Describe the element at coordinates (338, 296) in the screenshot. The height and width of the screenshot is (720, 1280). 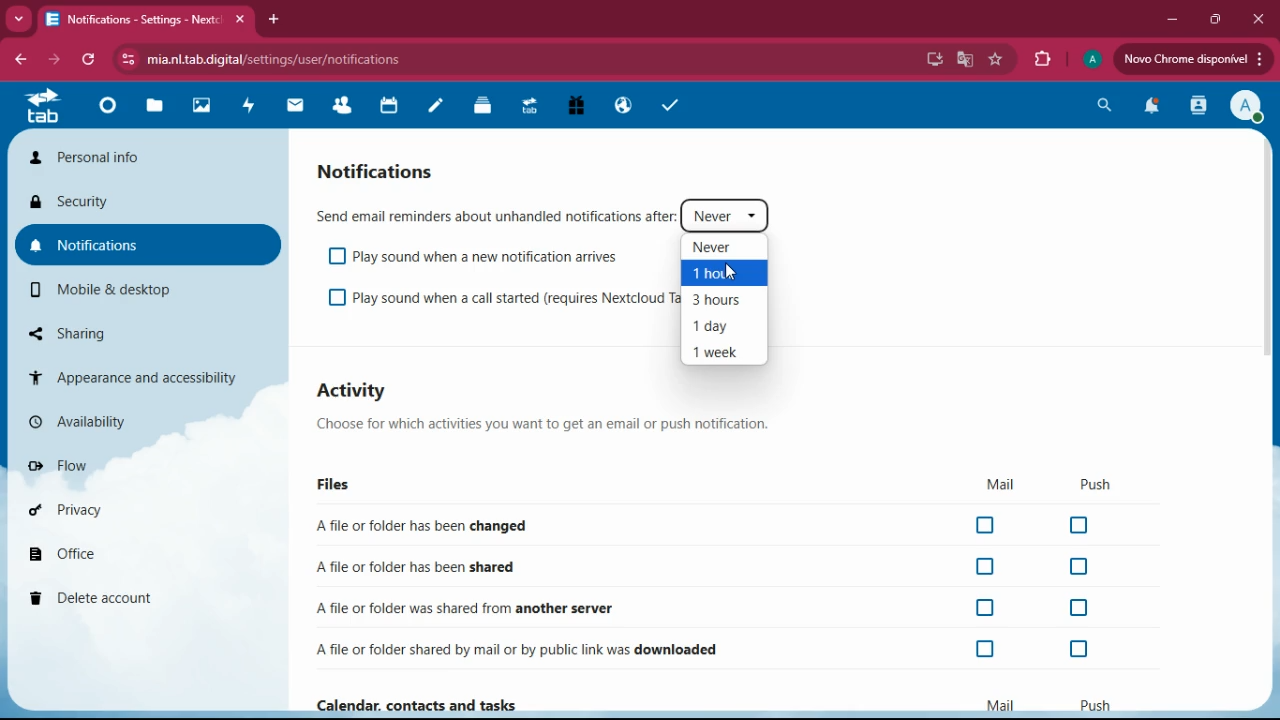
I see `off` at that location.